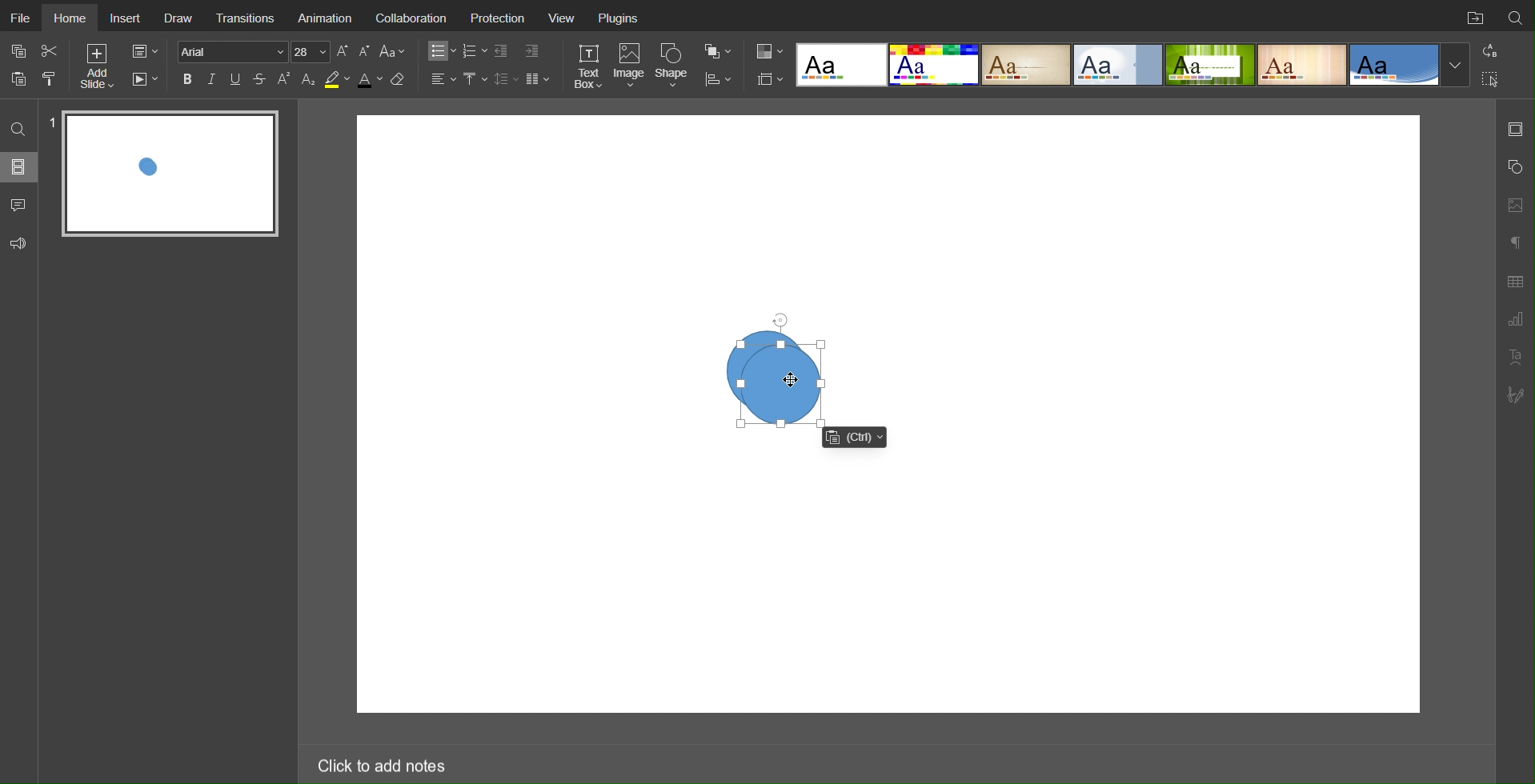 The height and width of the screenshot is (784, 1535). Describe the element at coordinates (503, 18) in the screenshot. I see `Protection` at that location.